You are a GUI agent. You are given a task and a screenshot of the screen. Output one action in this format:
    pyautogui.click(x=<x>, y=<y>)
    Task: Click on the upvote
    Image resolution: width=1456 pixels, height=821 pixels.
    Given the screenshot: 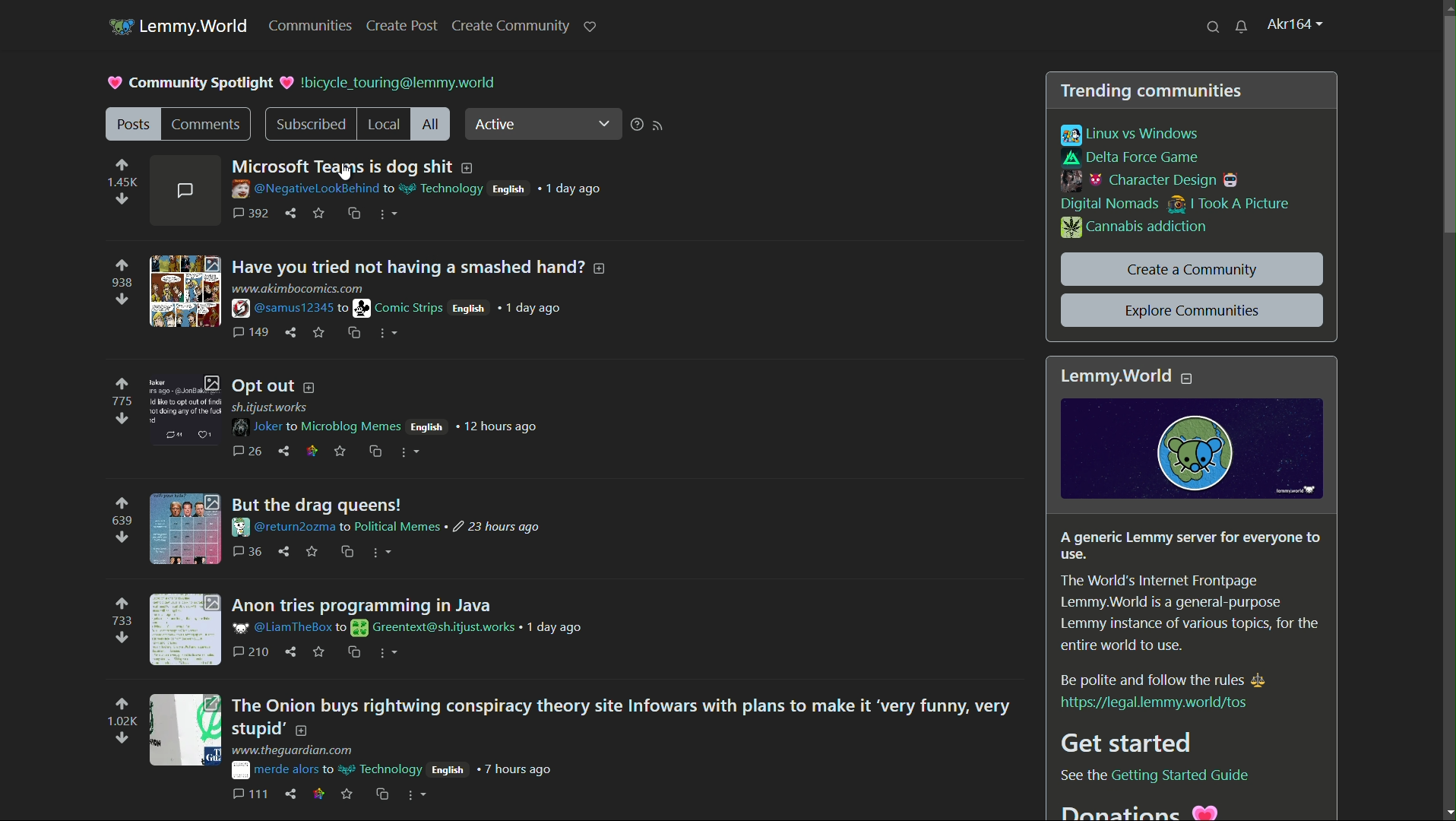 What is the action you would take?
    pyautogui.click(x=121, y=266)
    